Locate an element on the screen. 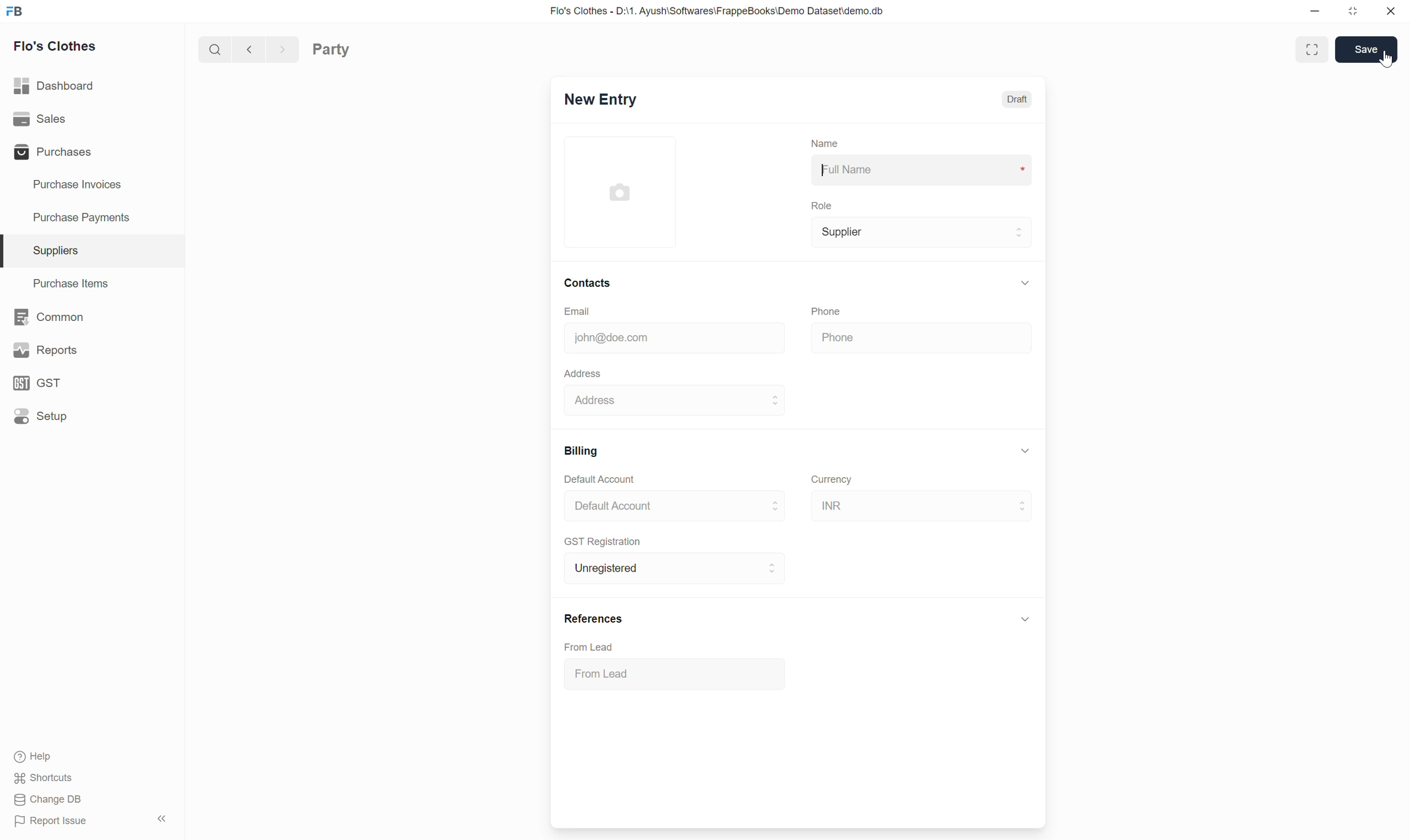  Collapse is located at coordinates (1025, 283).